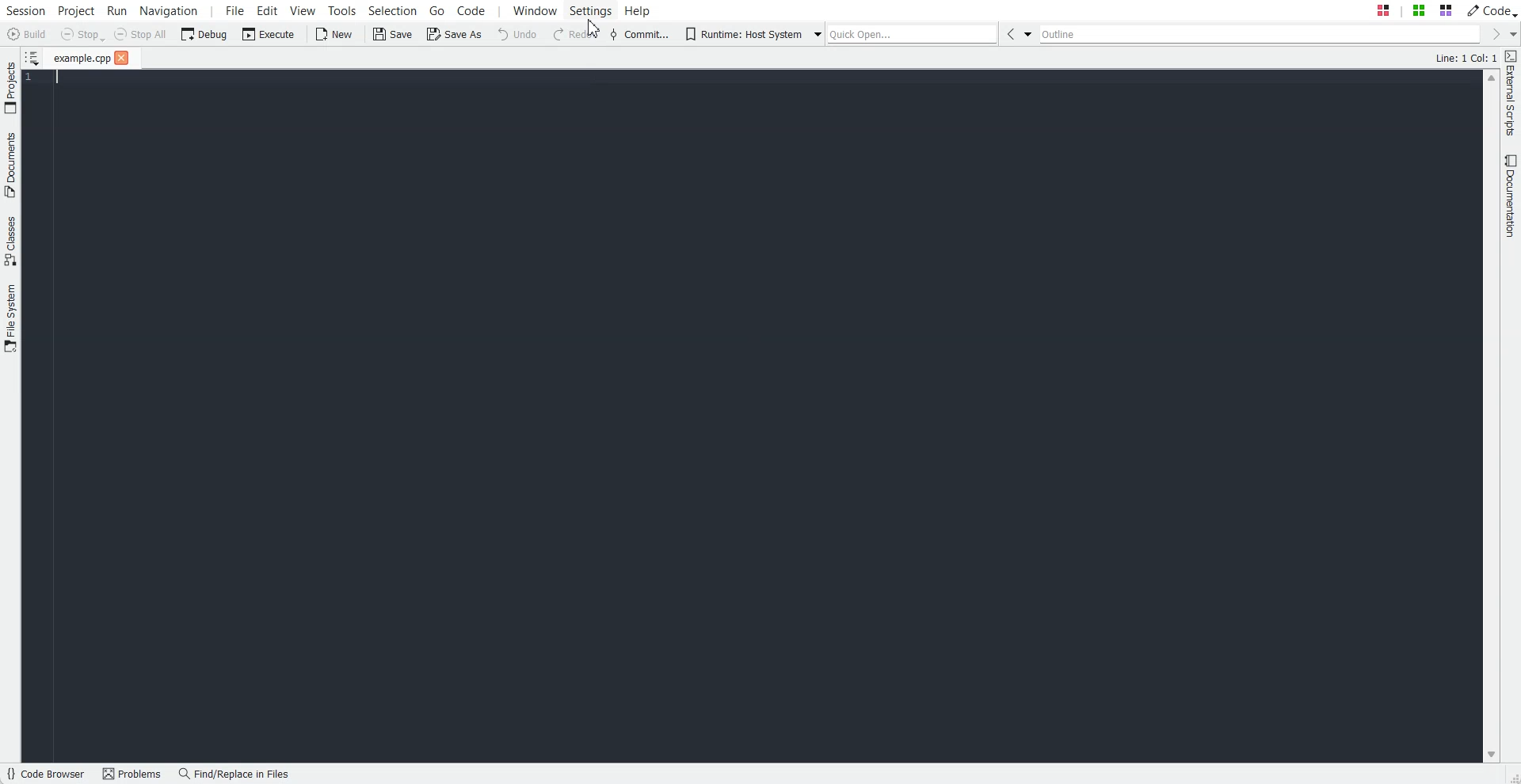 This screenshot has width=1521, height=784. I want to click on Drop down box, so click(1511, 34).